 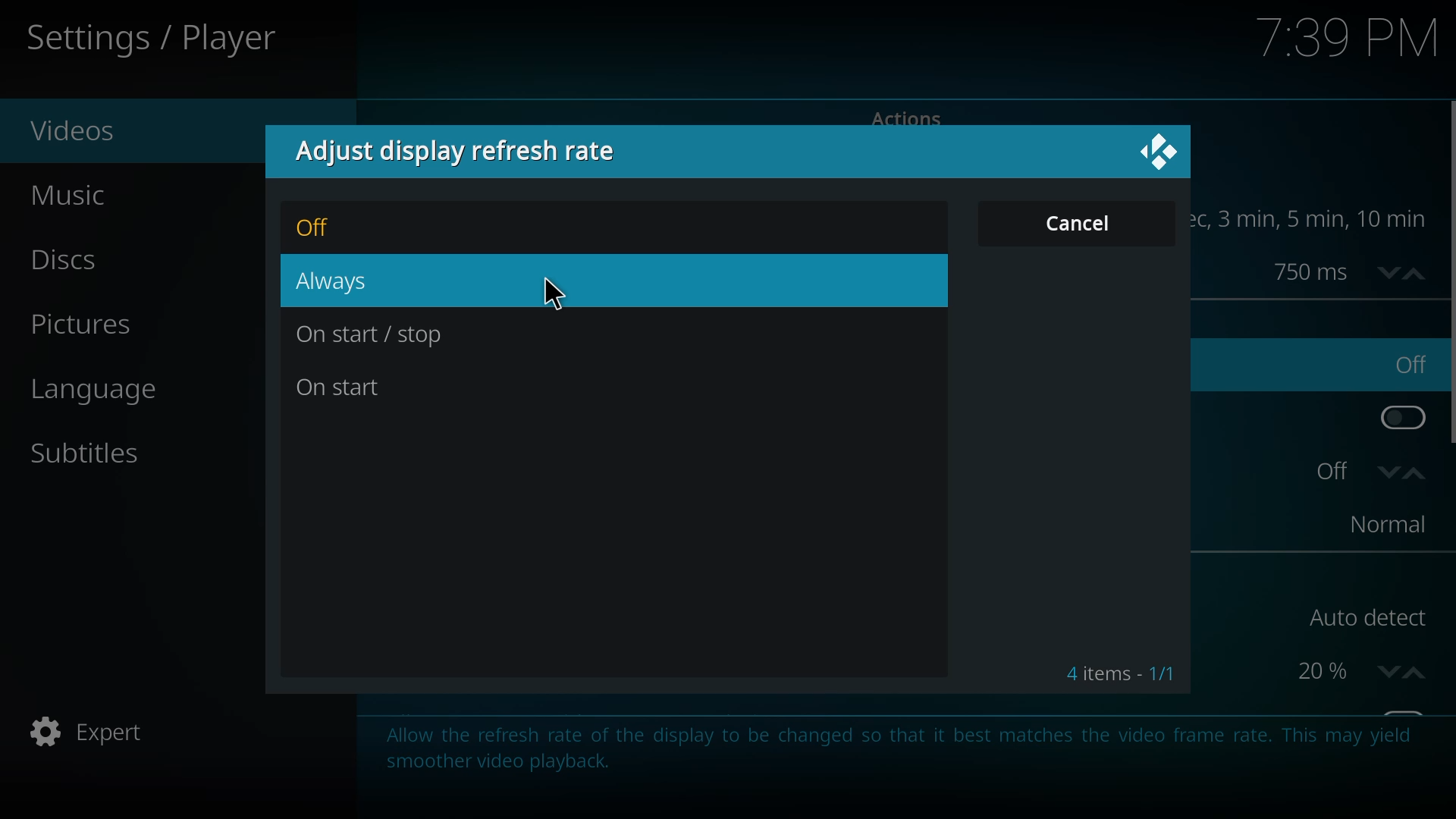 I want to click on player, so click(x=158, y=39).